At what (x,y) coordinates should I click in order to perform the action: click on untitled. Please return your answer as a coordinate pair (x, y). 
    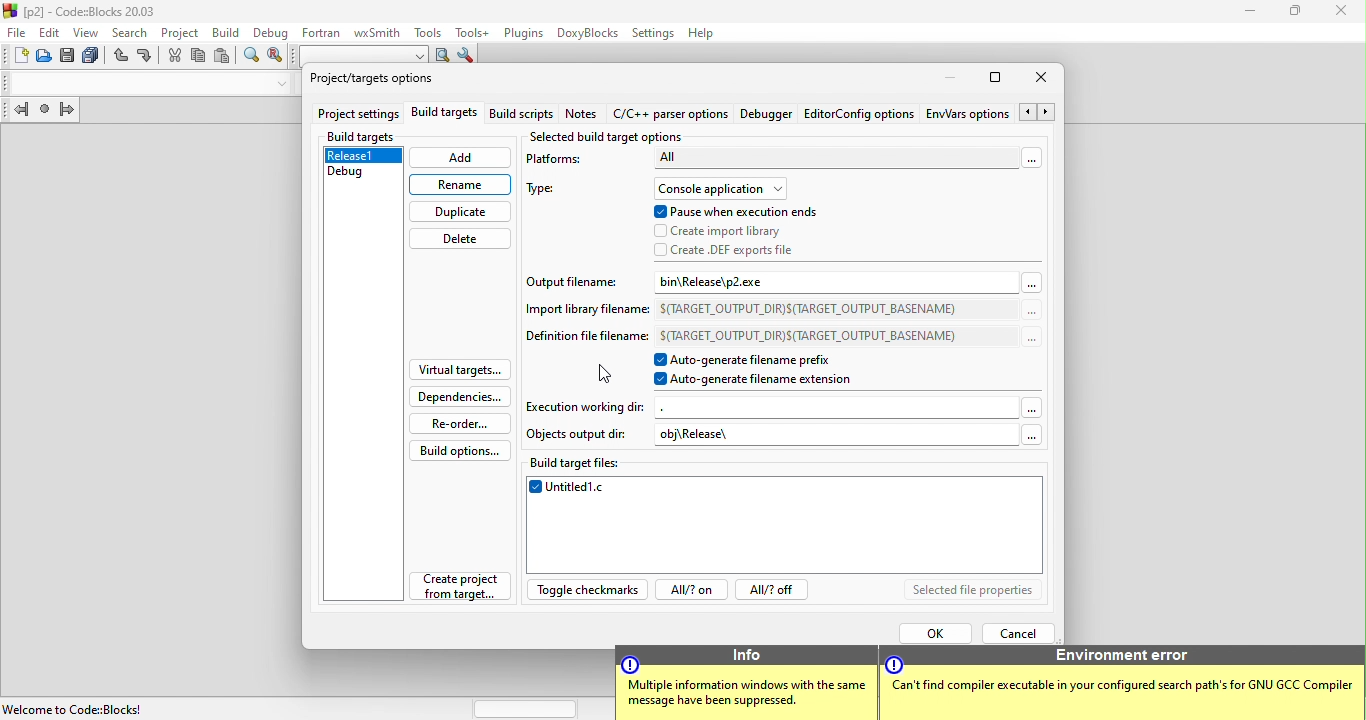
    Looking at the image, I should click on (787, 527).